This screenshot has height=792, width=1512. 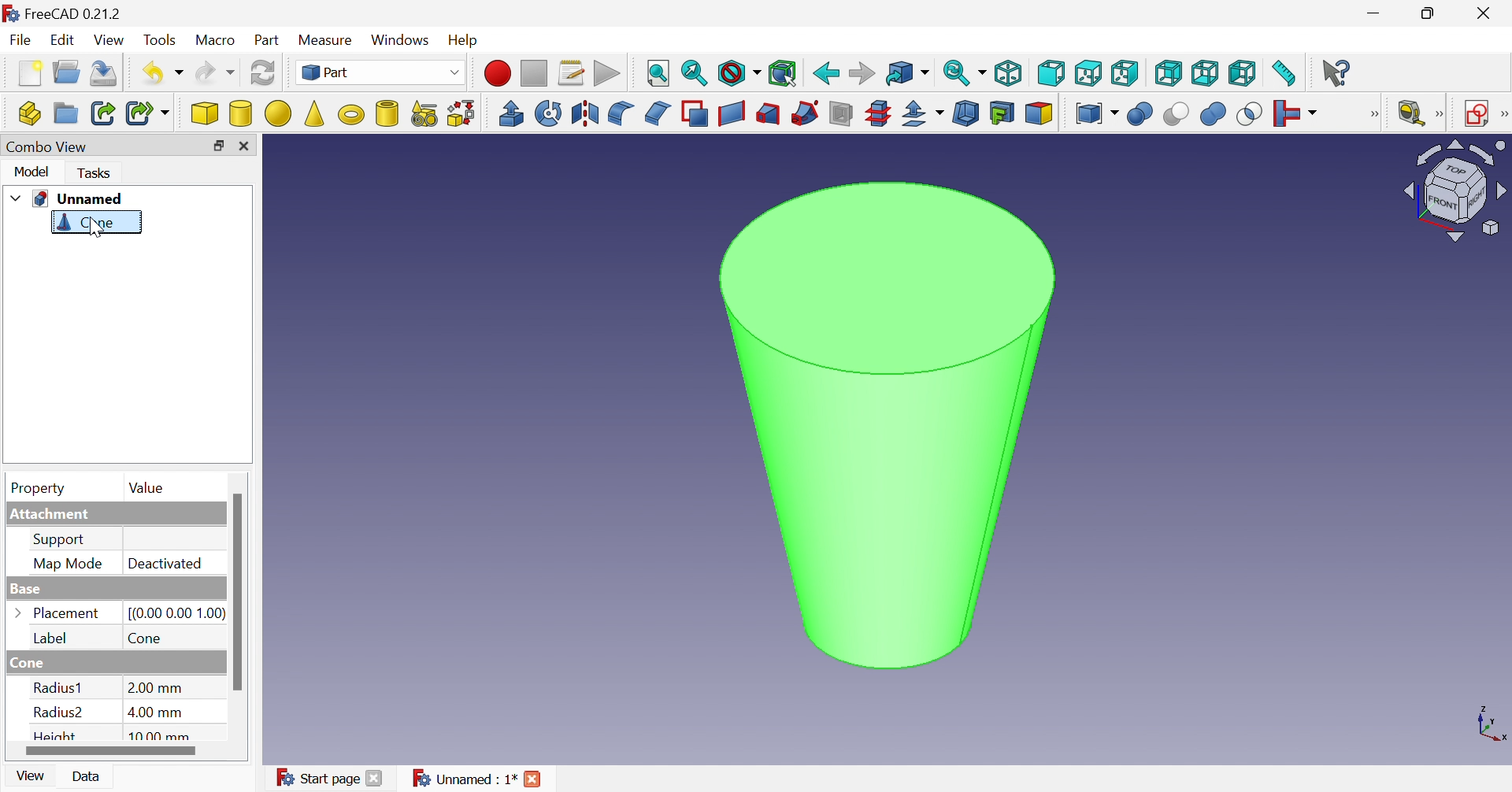 I want to click on Extrude, so click(x=512, y=113).